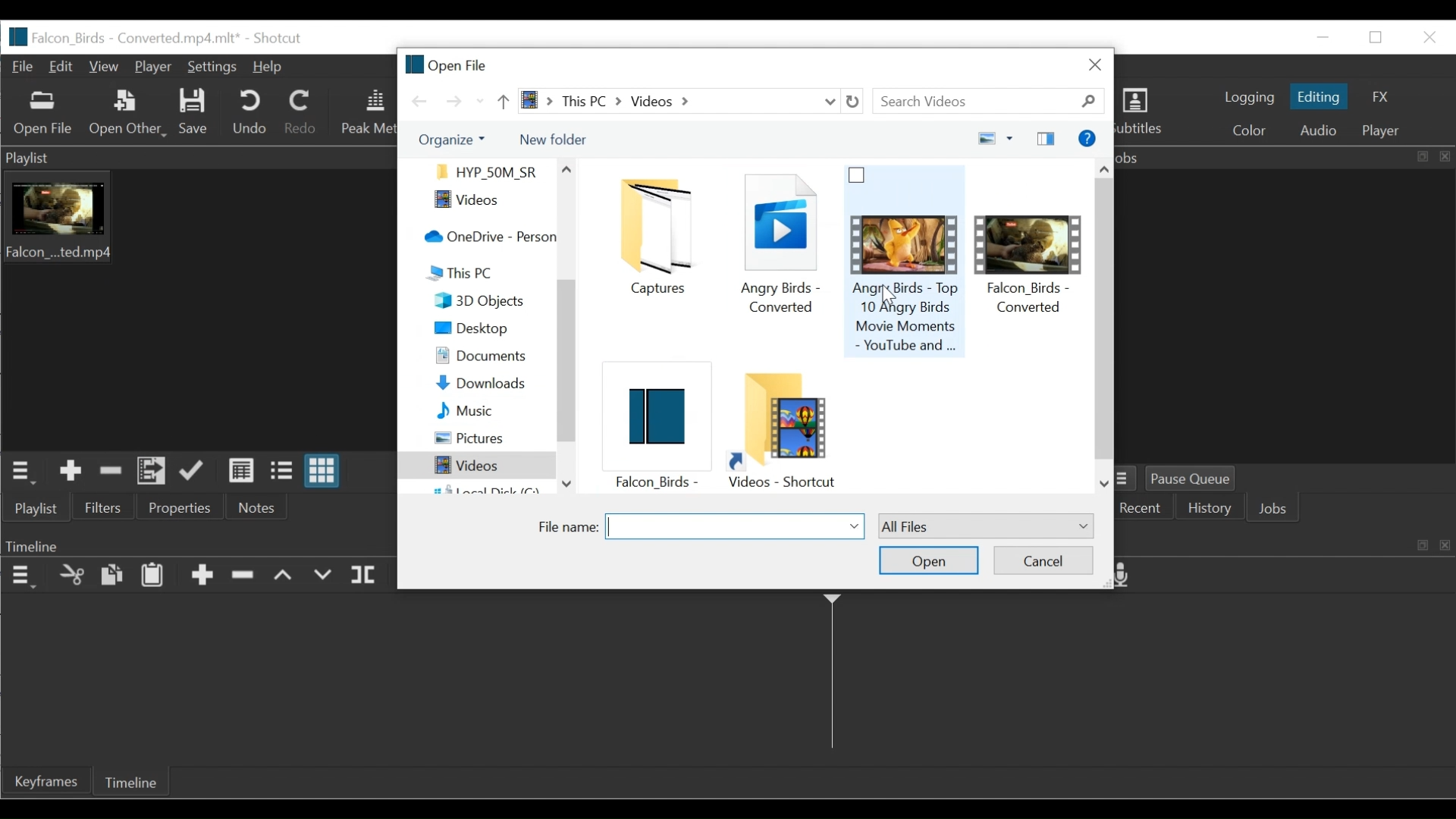 This screenshot has height=819, width=1456. Describe the element at coordinates (285, 472) in the screenshot. I see `View as files` at that location.